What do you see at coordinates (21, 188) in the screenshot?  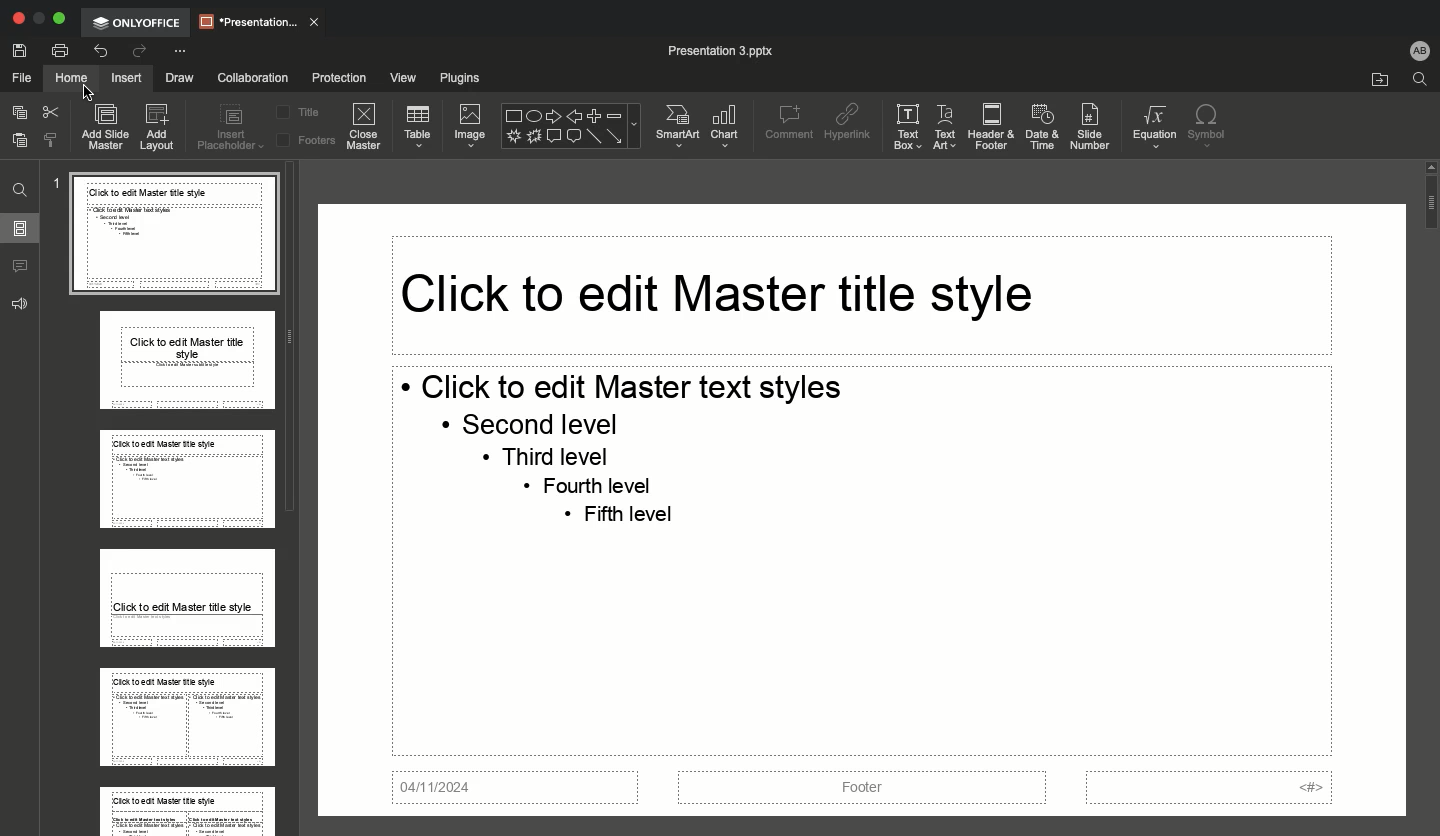 I see `Find and replace` at bounding box center [21, 188].